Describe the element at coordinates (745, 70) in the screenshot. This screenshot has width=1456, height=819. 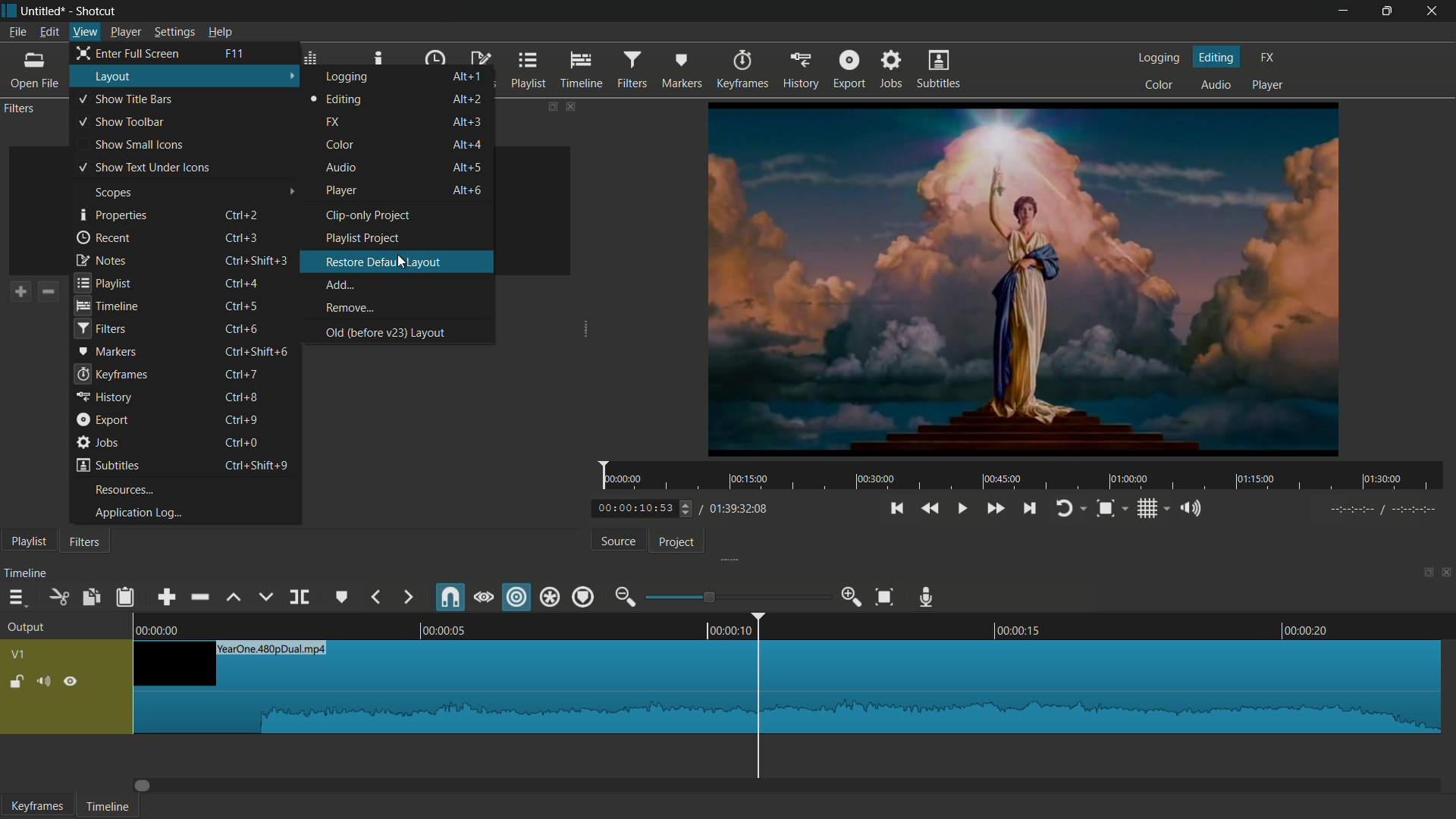
I see `keyframes` at that location.